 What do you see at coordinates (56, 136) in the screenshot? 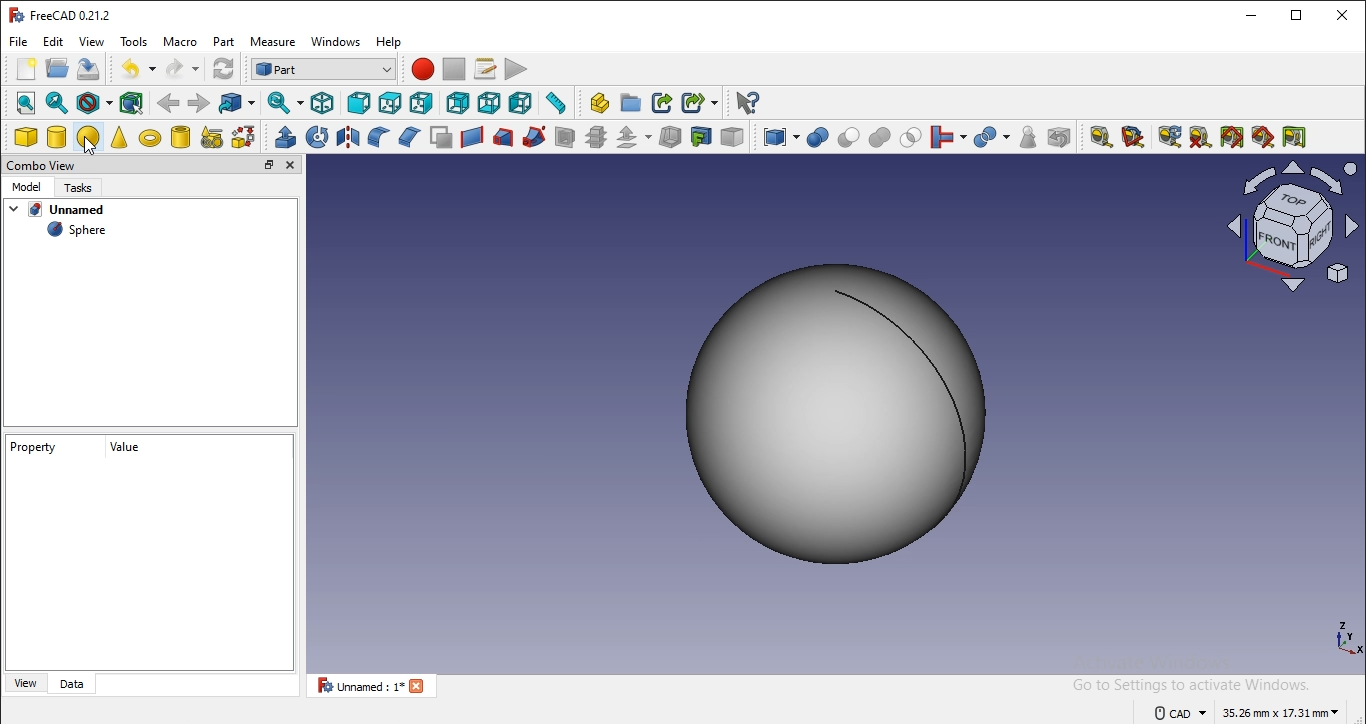
I see `cylinder` at bounding box center [56, 136].